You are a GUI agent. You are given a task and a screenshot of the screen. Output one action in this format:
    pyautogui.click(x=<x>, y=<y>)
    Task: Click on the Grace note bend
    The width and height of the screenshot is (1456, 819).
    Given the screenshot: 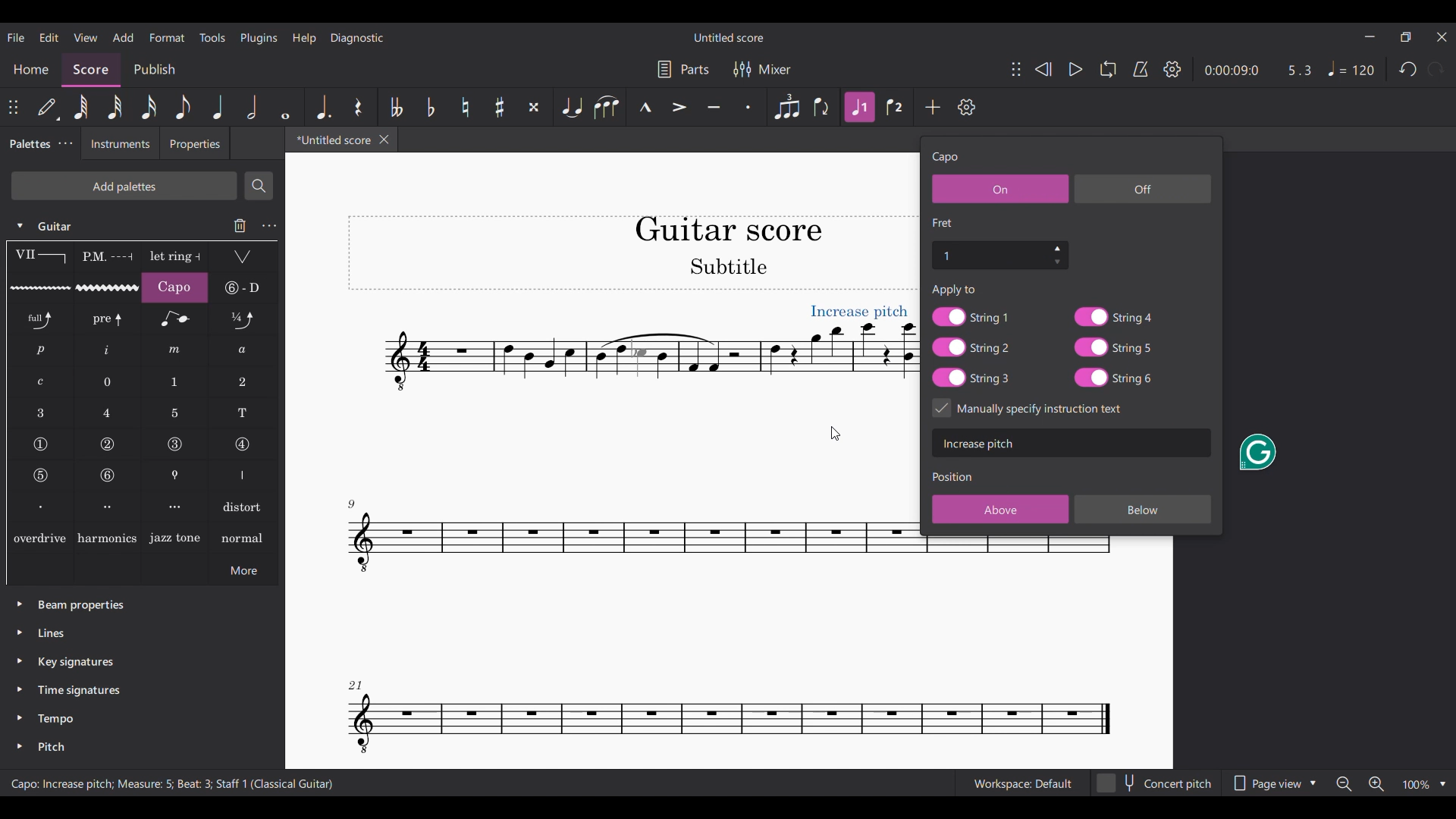 What is the action you would take?
    pyautogui.click(x=175, y=319)
    